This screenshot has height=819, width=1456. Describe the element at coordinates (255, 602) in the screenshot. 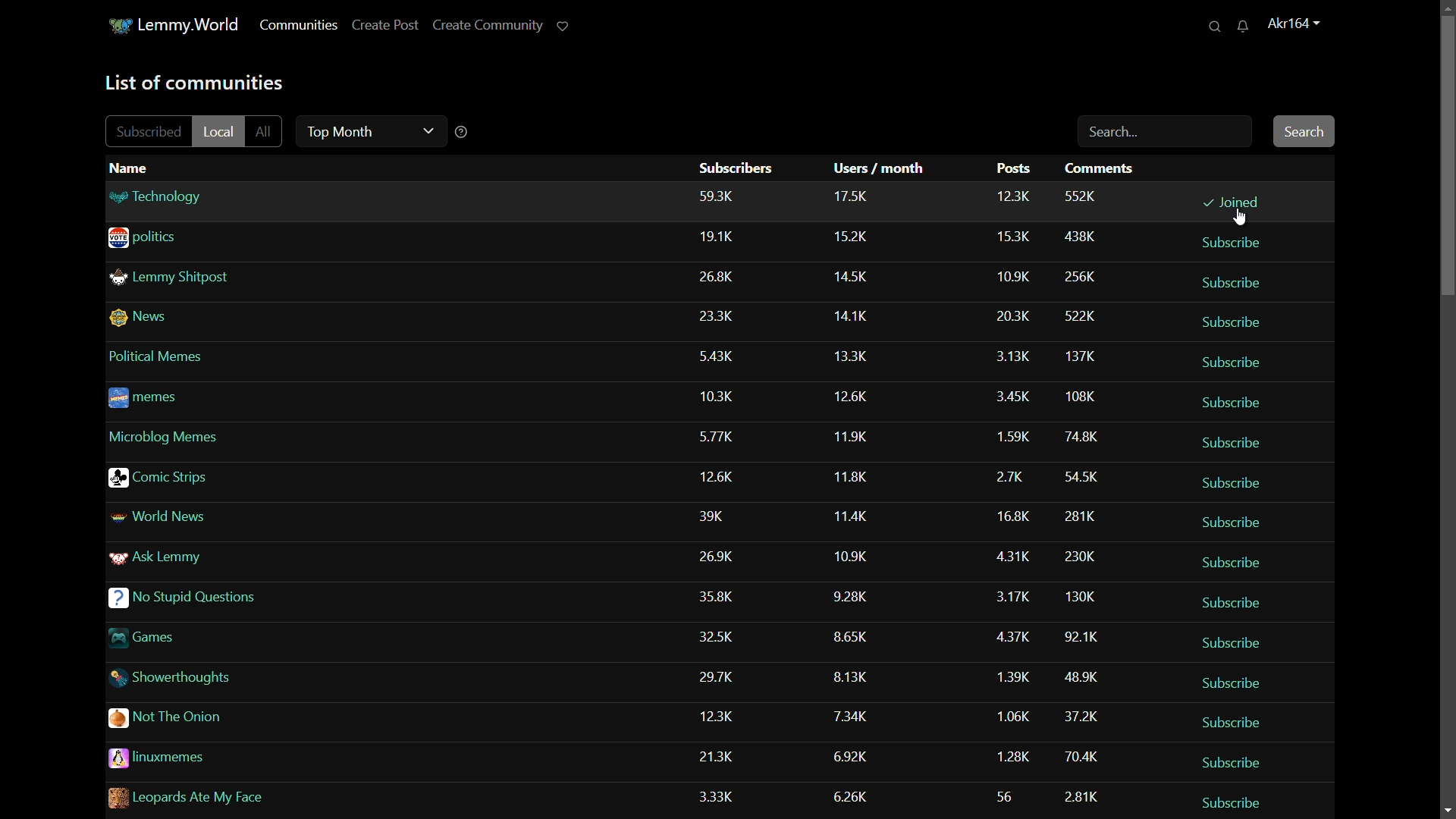

I see `` at that location.